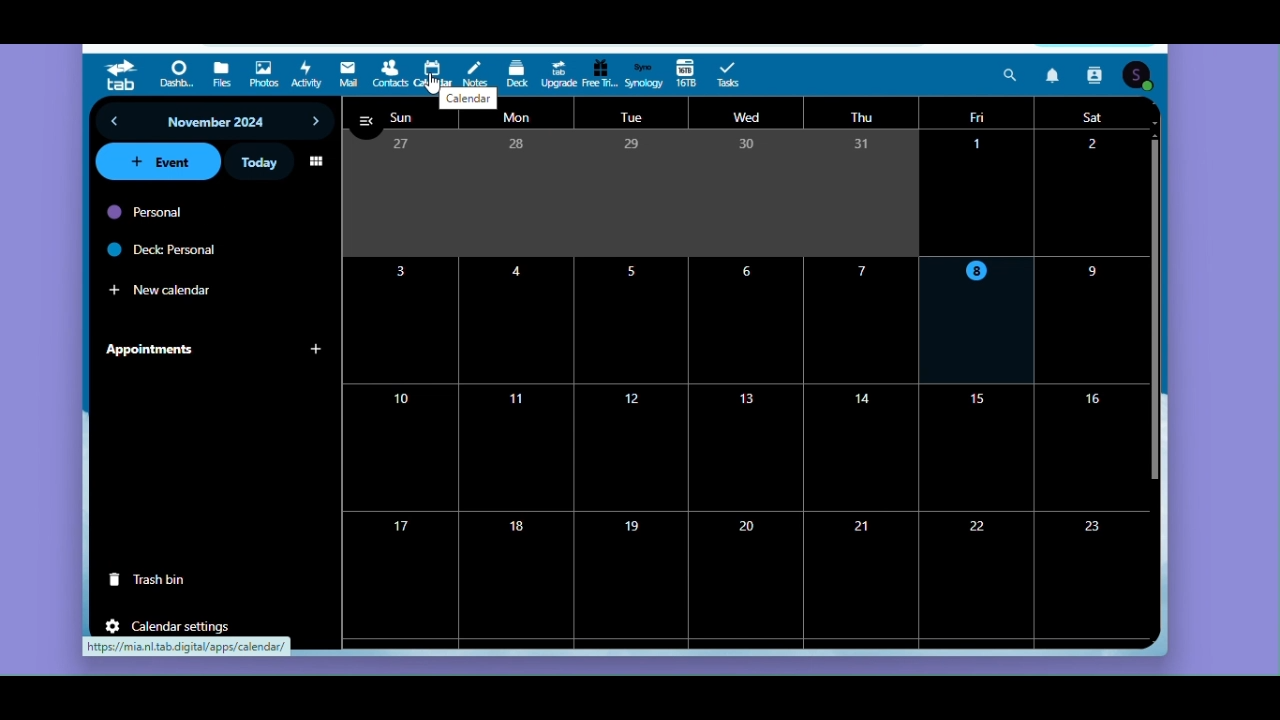 The width and height of the screenshot is (1280, 720). What do you see at coordinates (432, 83) in the screenshot?
I see `Cursor` at bounding box center [432, 83].